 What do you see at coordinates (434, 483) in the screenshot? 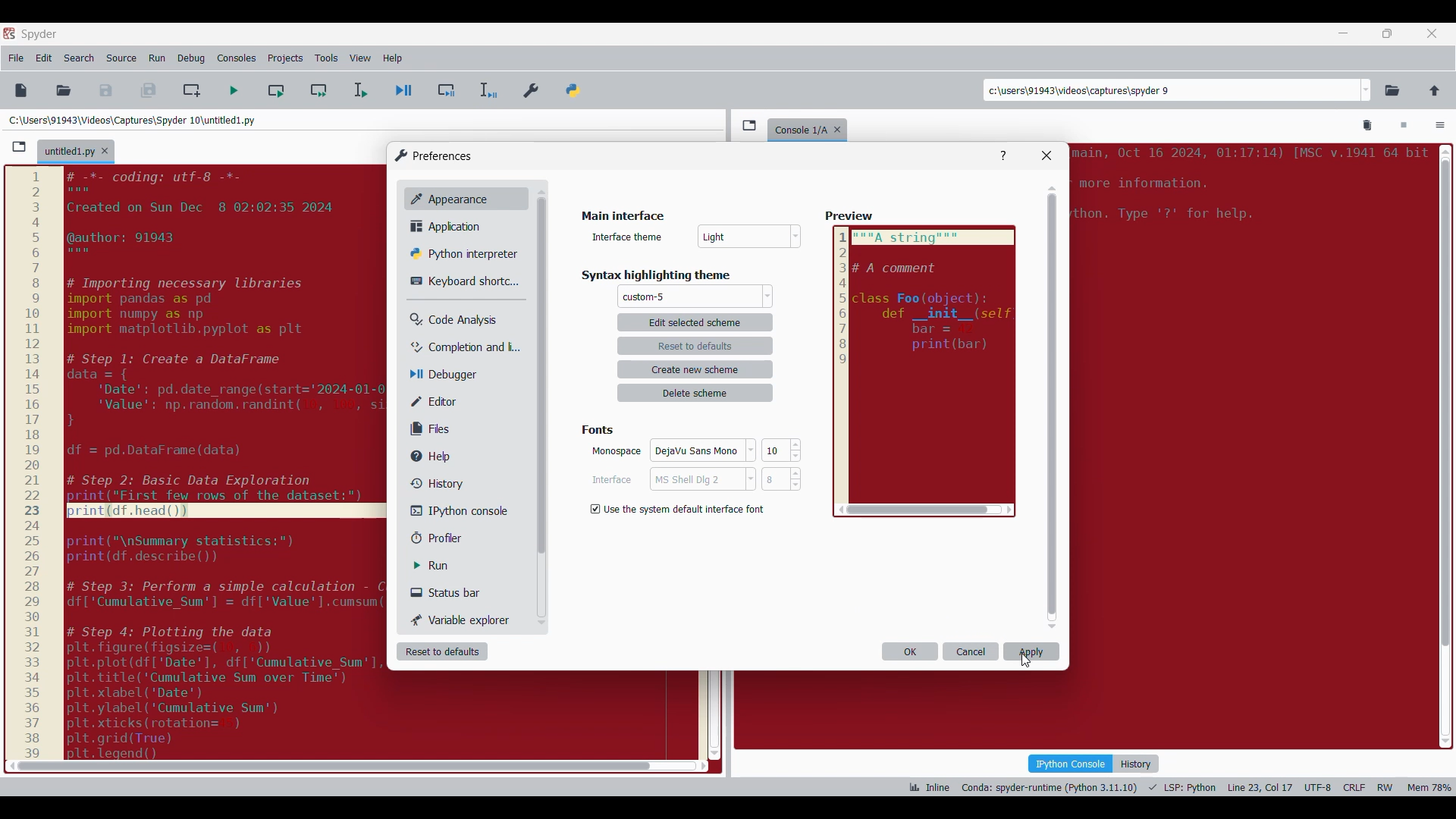
I see `History` at bounding box center [434, 483].